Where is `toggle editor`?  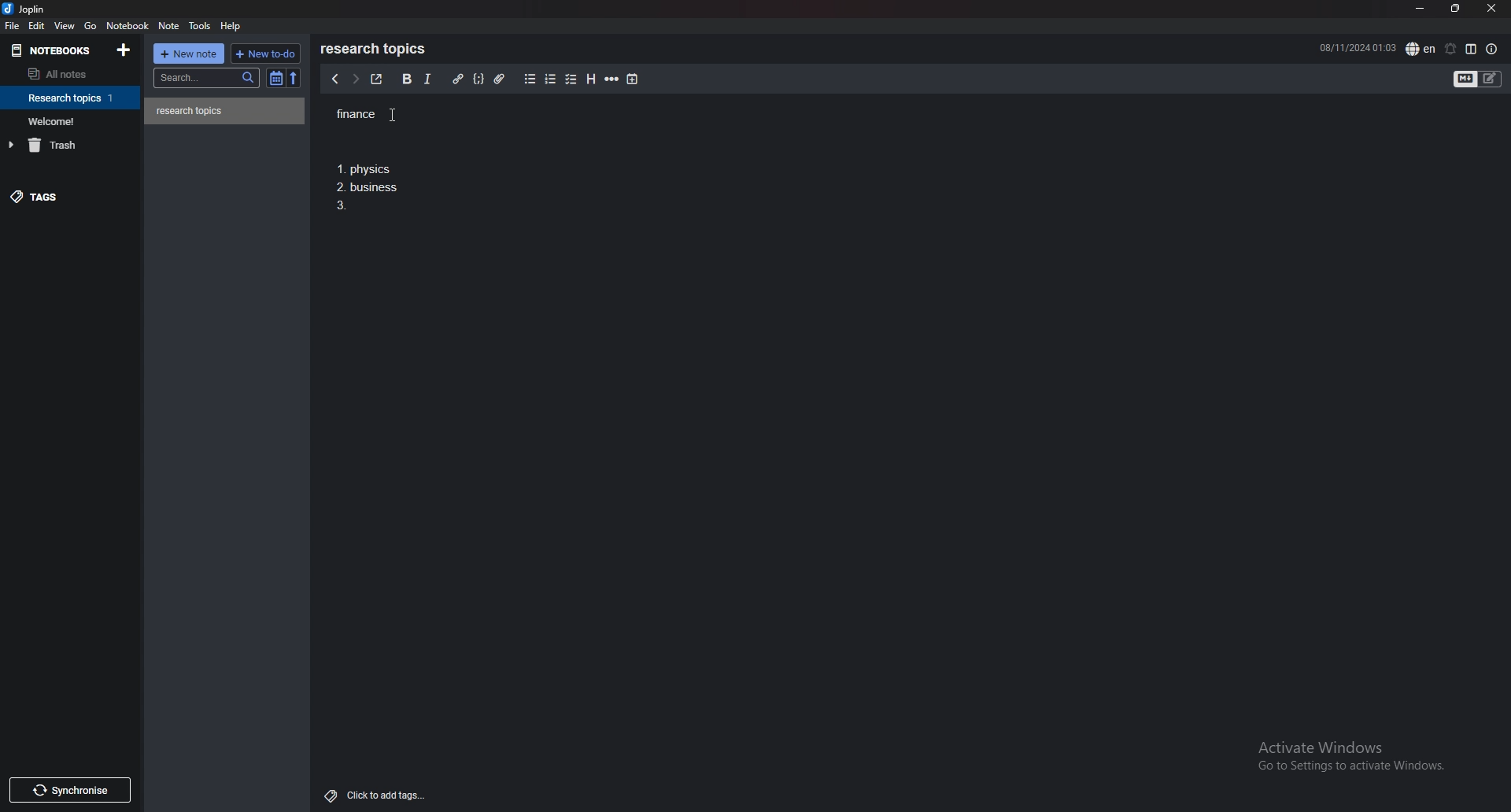 toggle editor is located at coordinates (1479, 79).